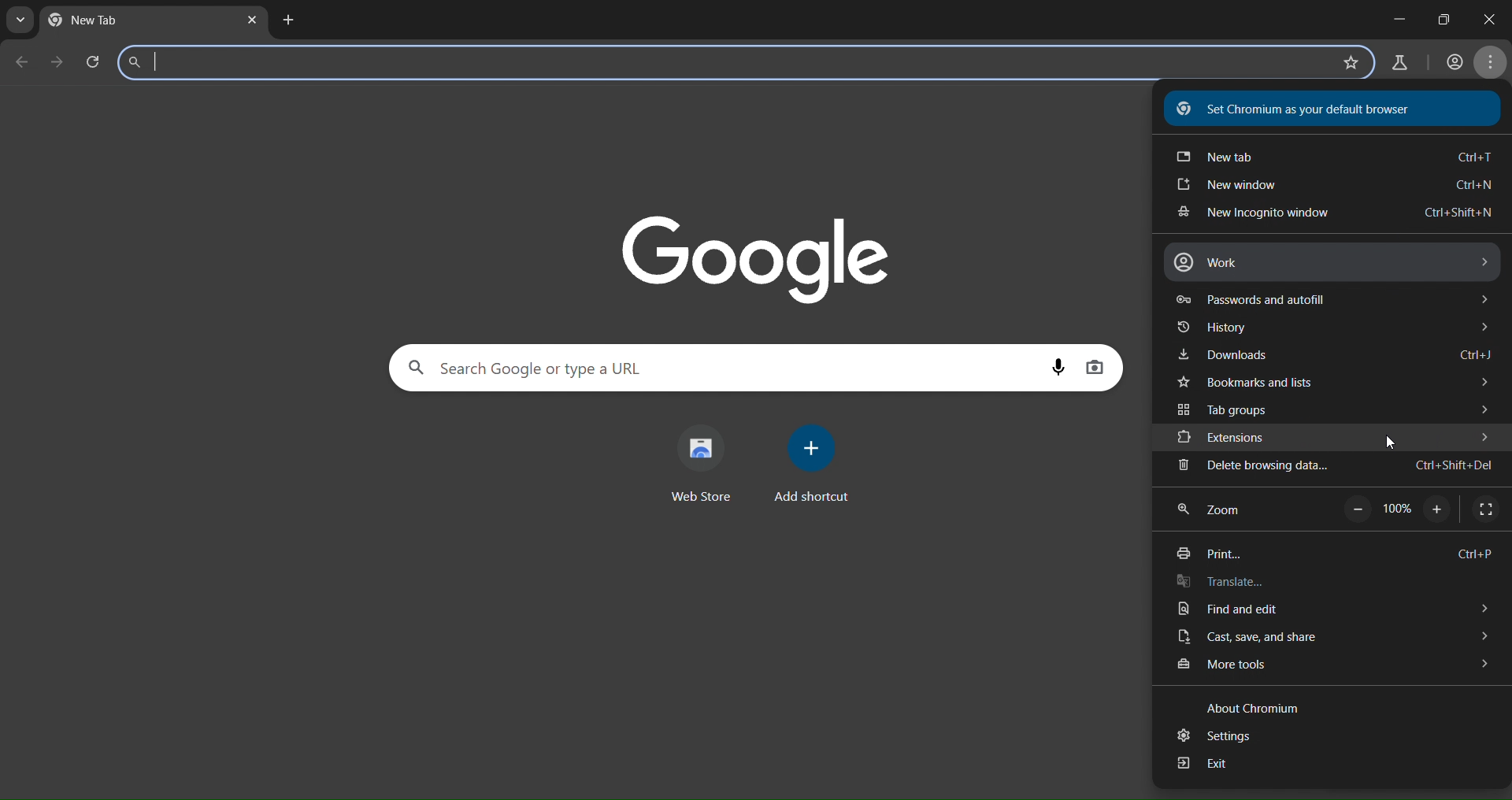  What do you see at coordinates (728, 61) in the screenshot?
I see `search labs` at bounding box center [728, 61].